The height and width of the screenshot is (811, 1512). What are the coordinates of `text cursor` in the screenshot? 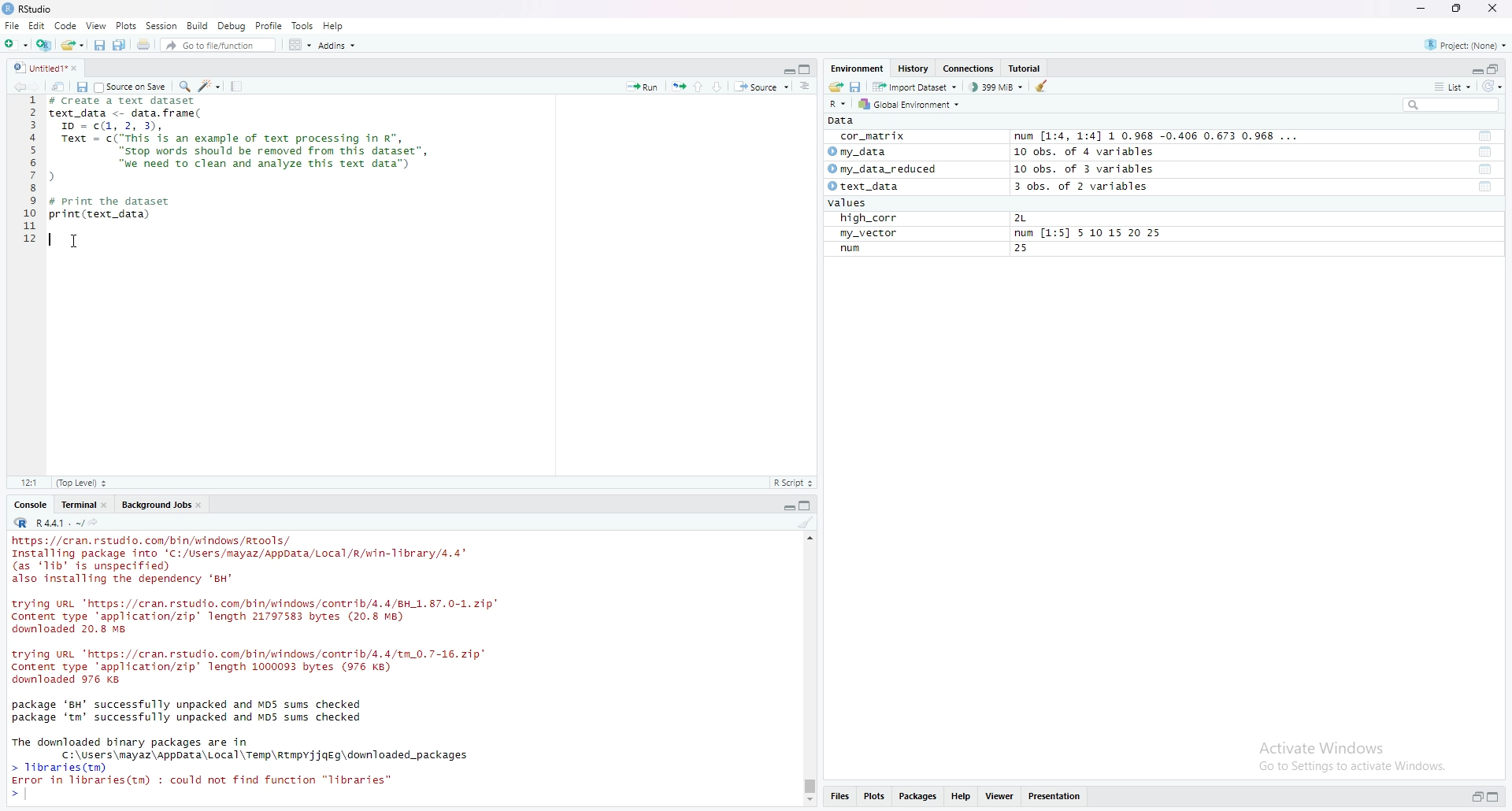 It's located at (25, 794).